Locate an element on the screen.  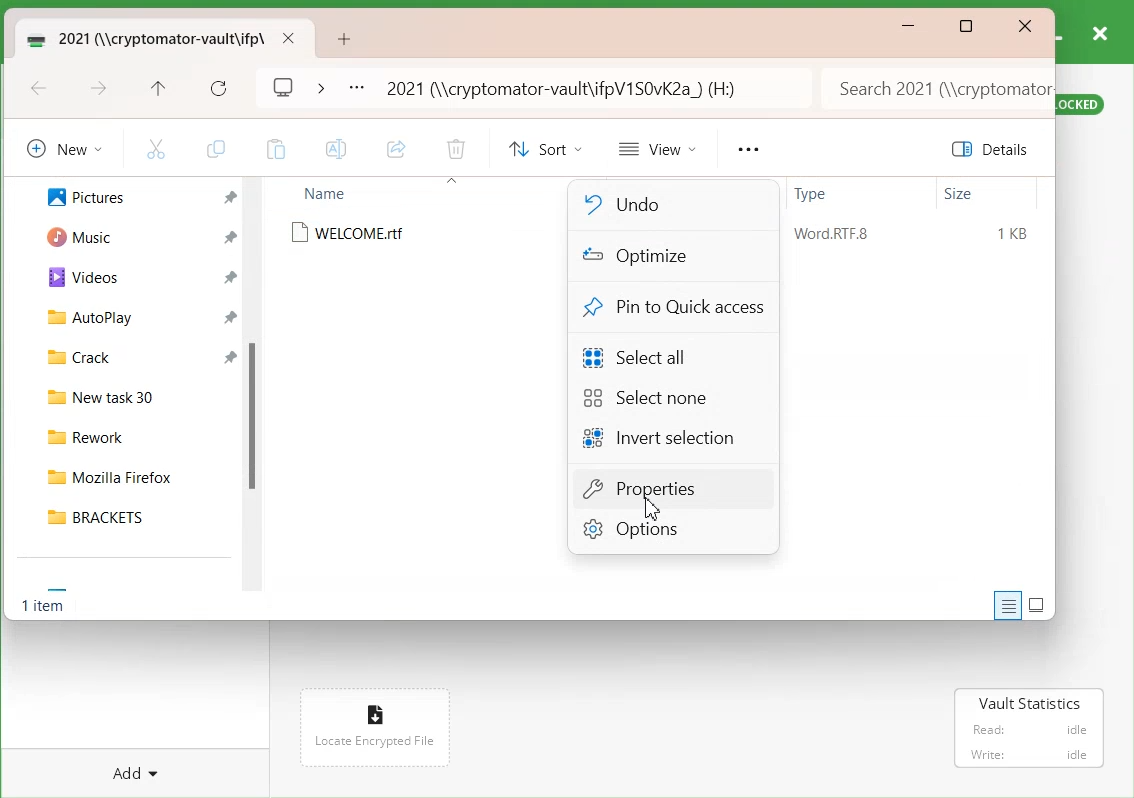
AutoPlay is located at coordinates (79, 316).